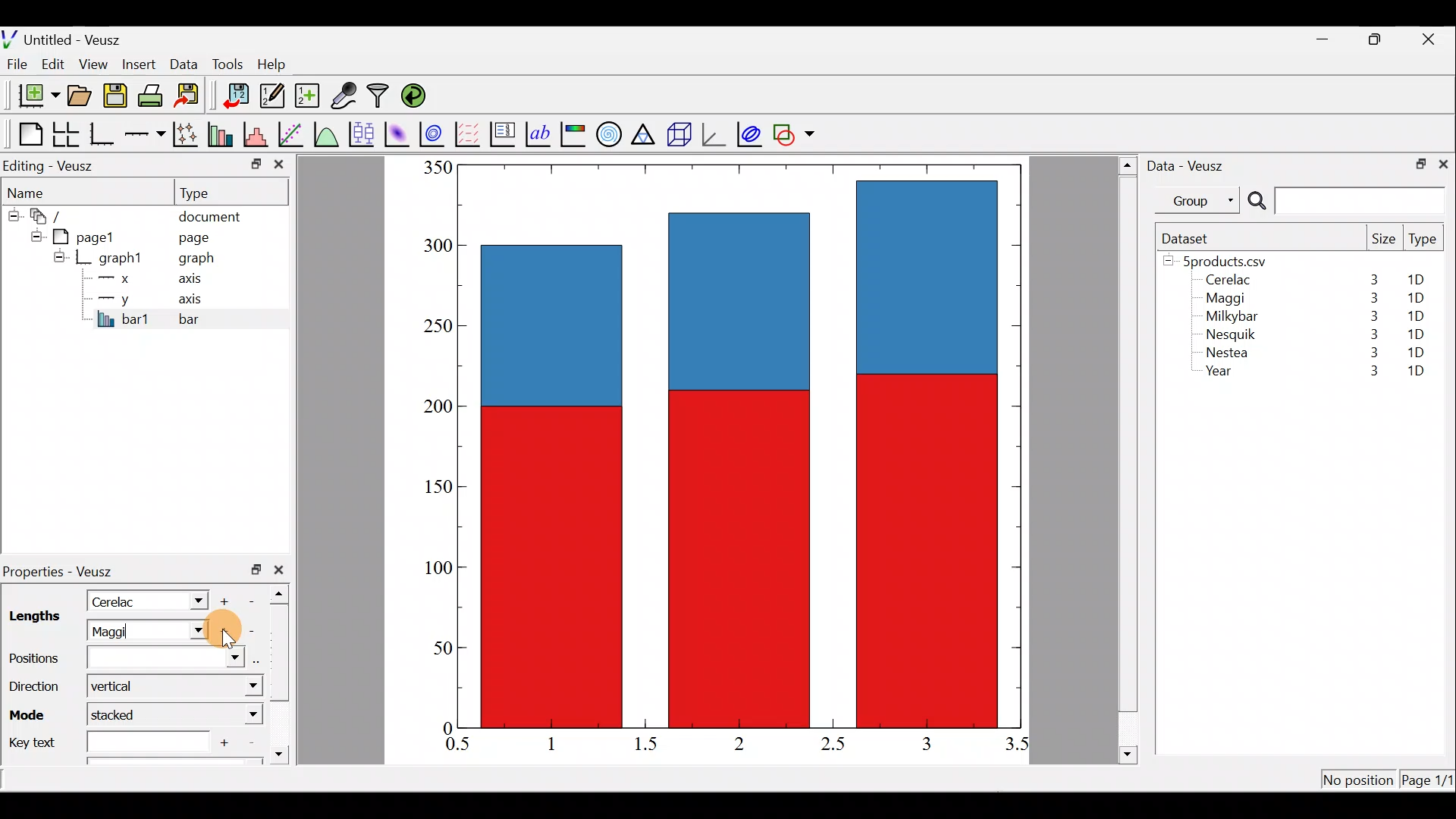 Image resolution: width=1456 pixels, height=819 pixels. Describe the element at coordinates (234, 687) in the screenshot. I see `direction dropdown` at that location.